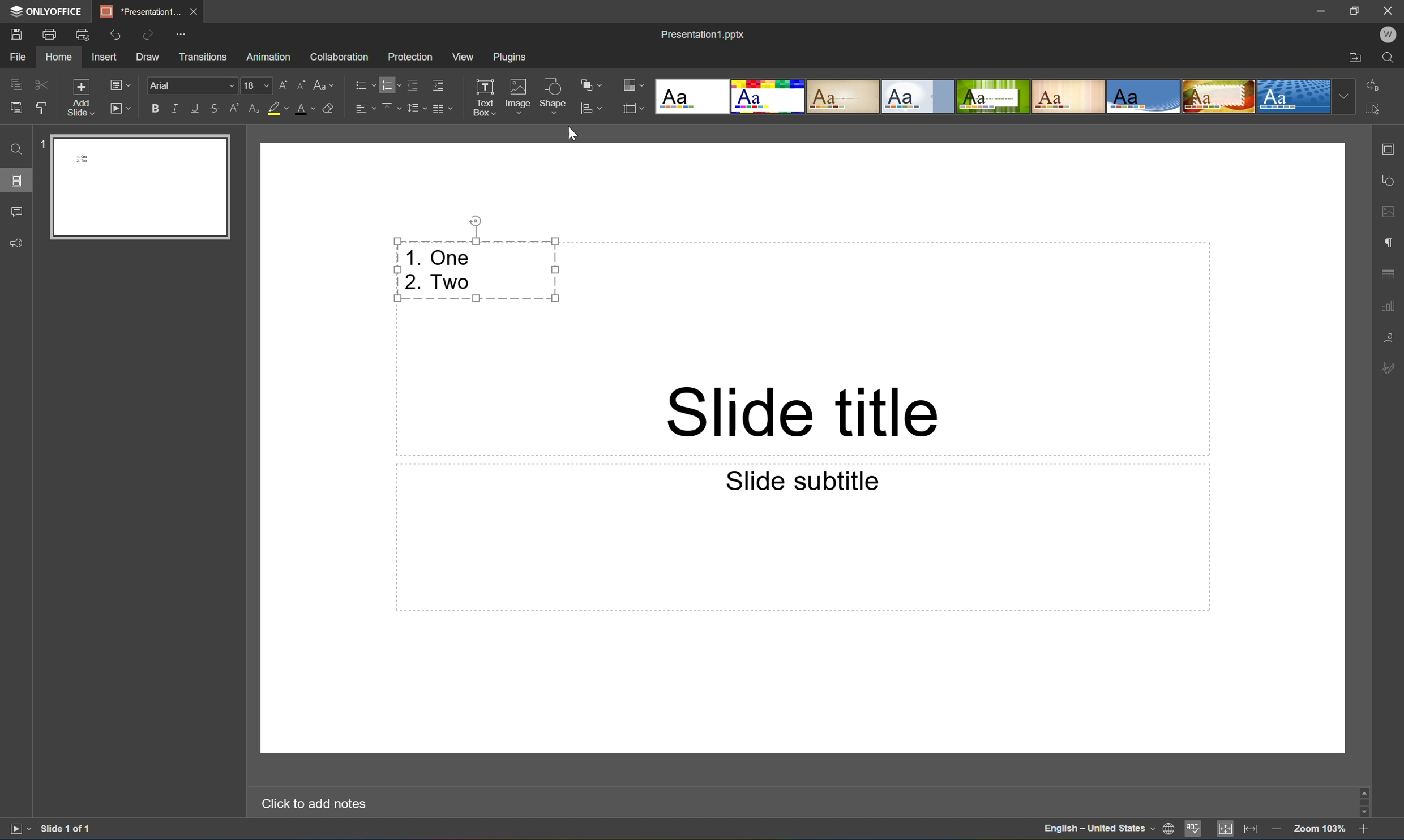 The image size is (1404, 840). Describe the element at coordinates (156, 109) in the screenshot. I see `Bold` at that location.